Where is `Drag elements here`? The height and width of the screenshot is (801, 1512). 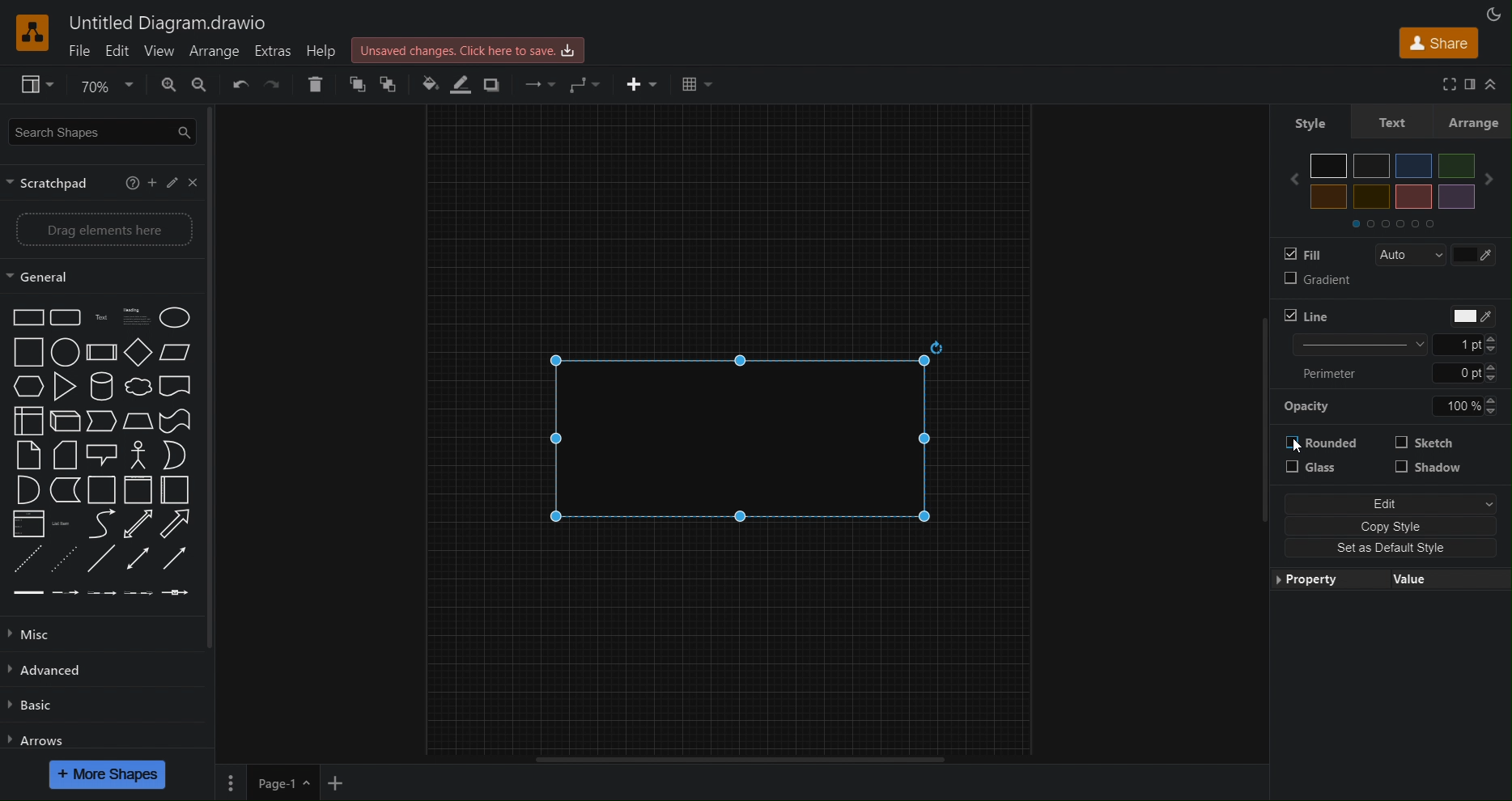 Drag elements here is located at coordinates (95, 231).